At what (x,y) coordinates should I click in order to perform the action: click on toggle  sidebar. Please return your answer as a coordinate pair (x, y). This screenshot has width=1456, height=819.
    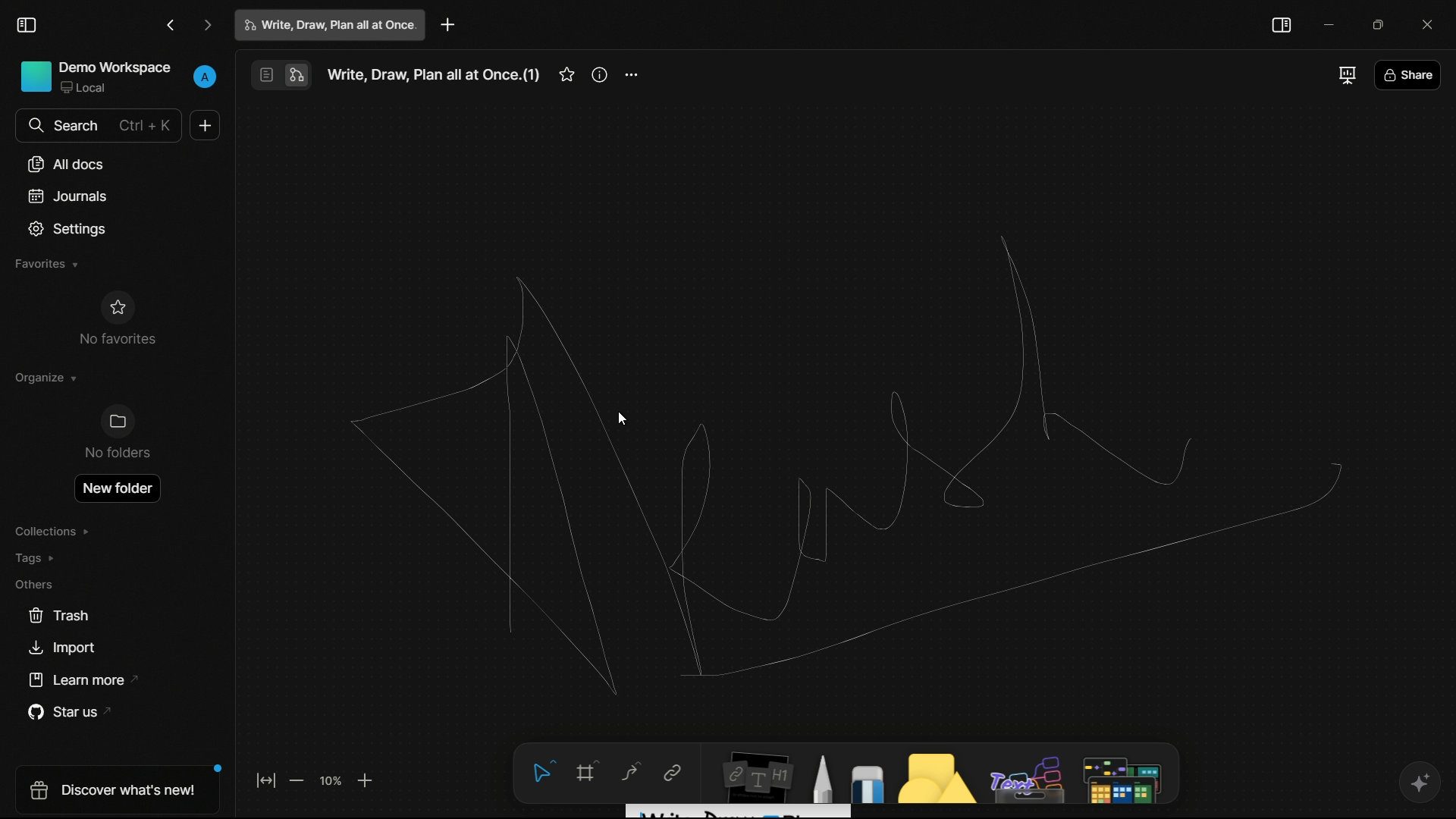
    Looking at the image, I should click on (25, 27).